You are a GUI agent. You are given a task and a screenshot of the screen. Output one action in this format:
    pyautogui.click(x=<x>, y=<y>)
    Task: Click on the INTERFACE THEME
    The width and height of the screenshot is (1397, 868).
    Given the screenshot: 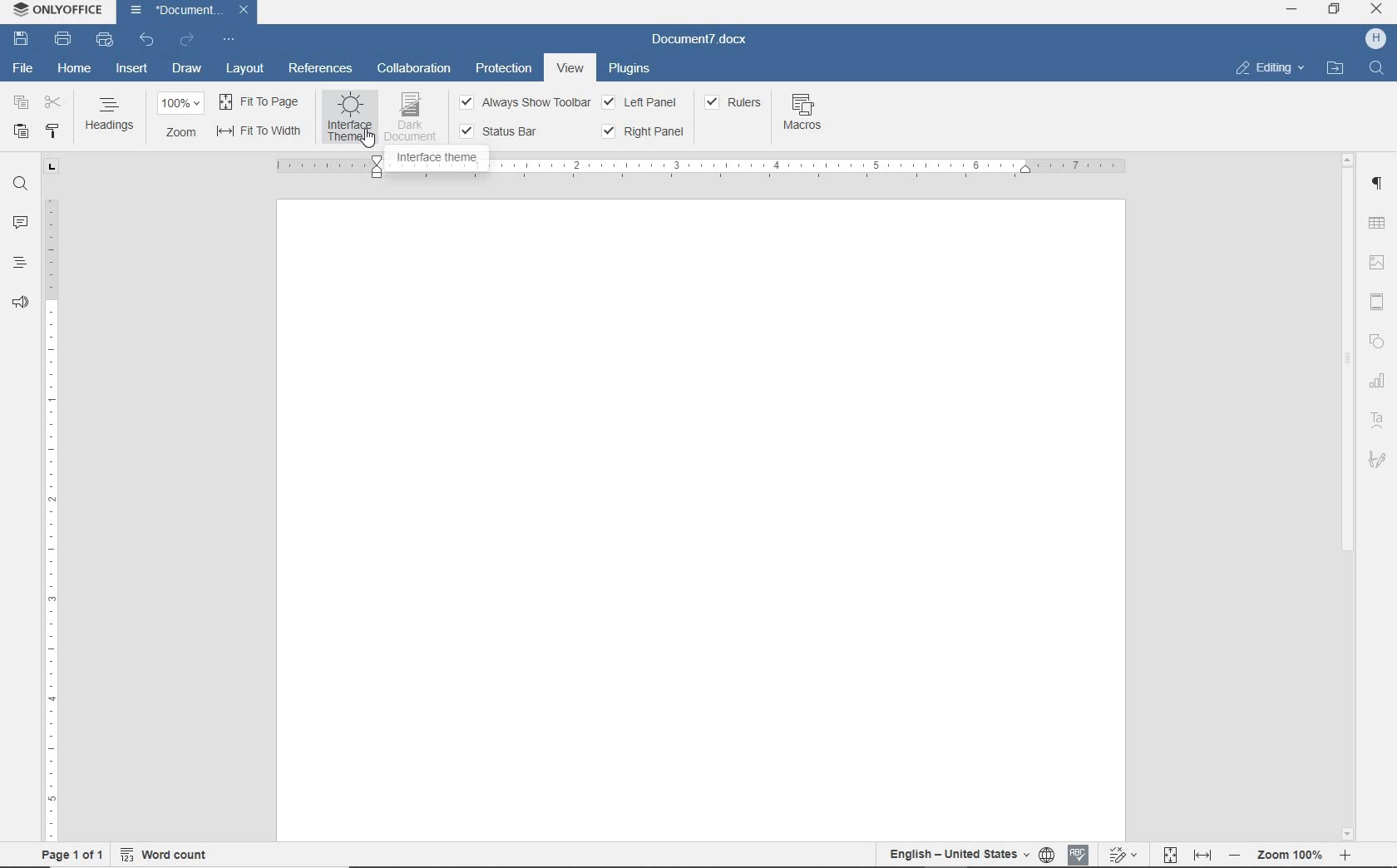 What is the action you would take?
    pyautogui.click(x=350, y=119)
    